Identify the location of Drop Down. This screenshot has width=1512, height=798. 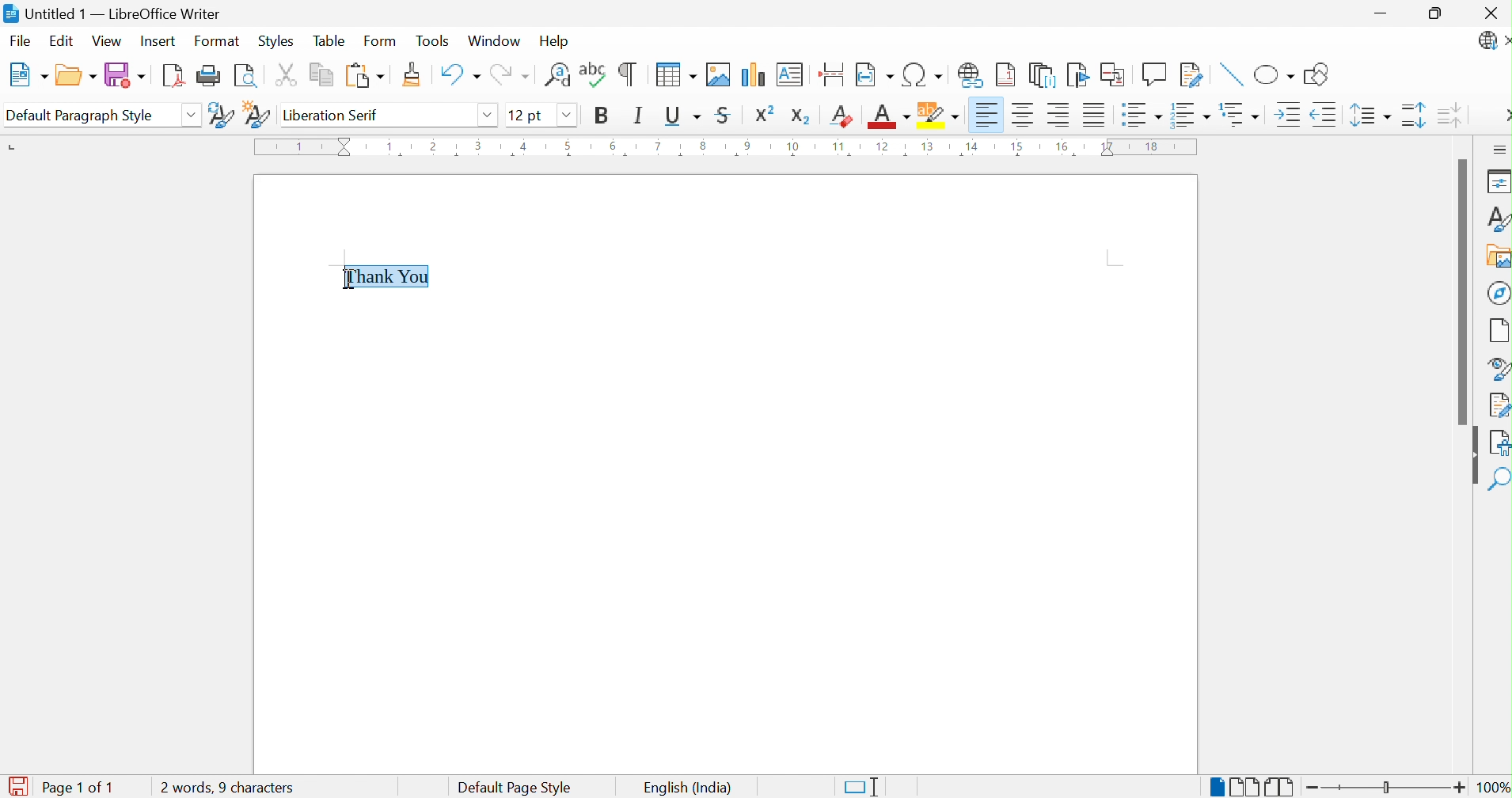
(192, 113).